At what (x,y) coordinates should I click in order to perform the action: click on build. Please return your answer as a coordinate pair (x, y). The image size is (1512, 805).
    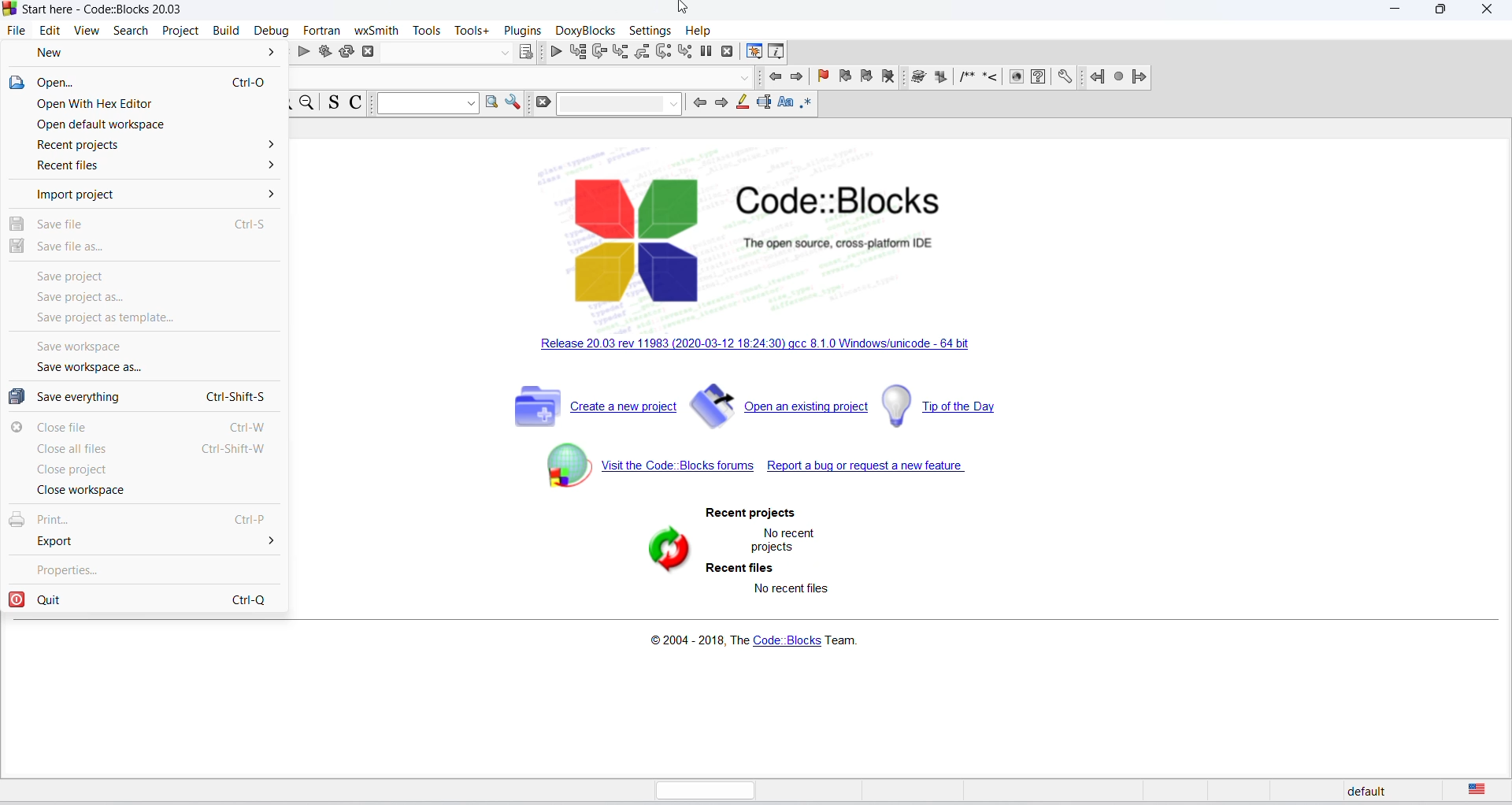
    Looking at the image, I should click on (228, 30).